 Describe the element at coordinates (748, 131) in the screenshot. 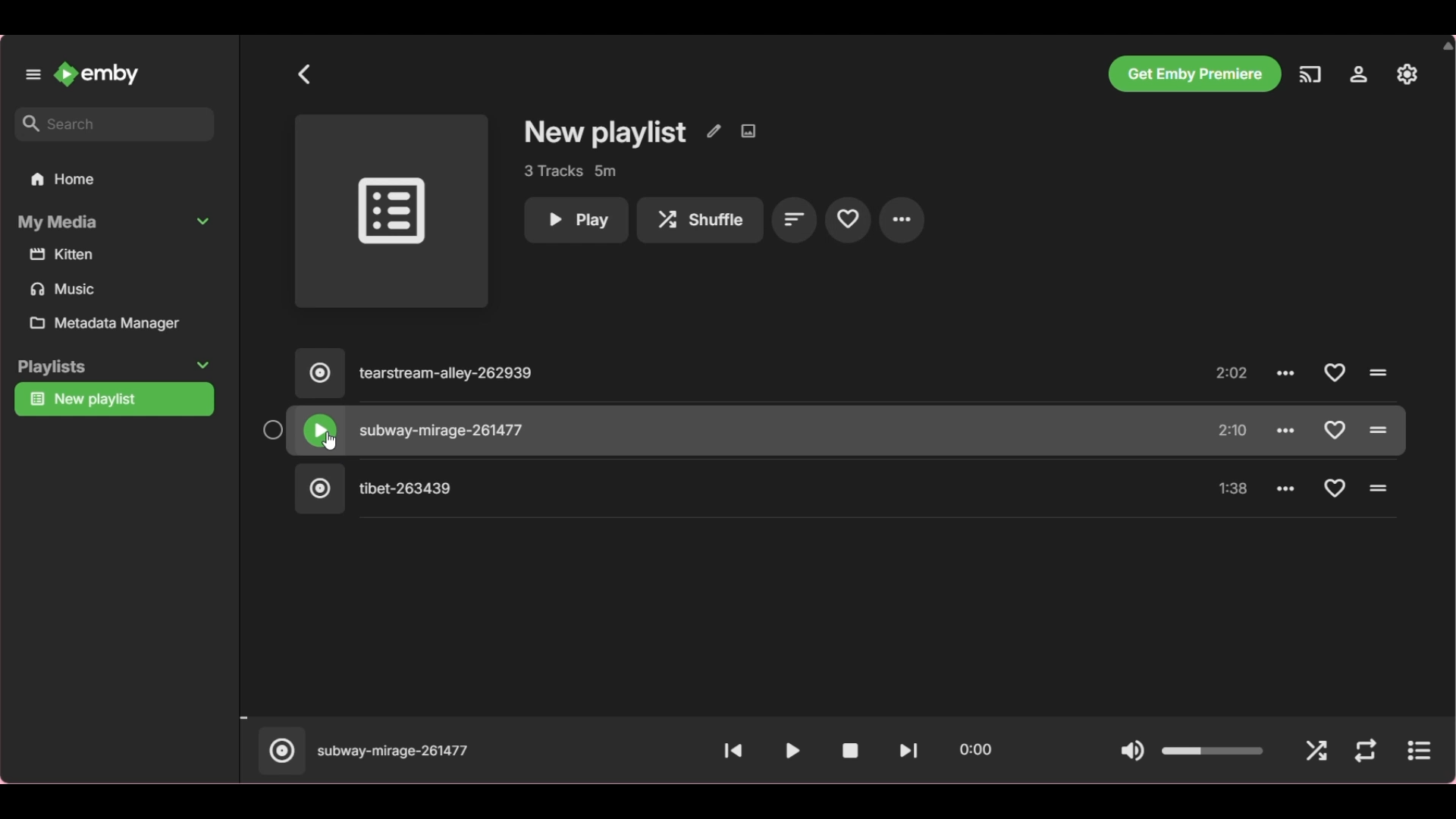

I see `Edit images` at that location.